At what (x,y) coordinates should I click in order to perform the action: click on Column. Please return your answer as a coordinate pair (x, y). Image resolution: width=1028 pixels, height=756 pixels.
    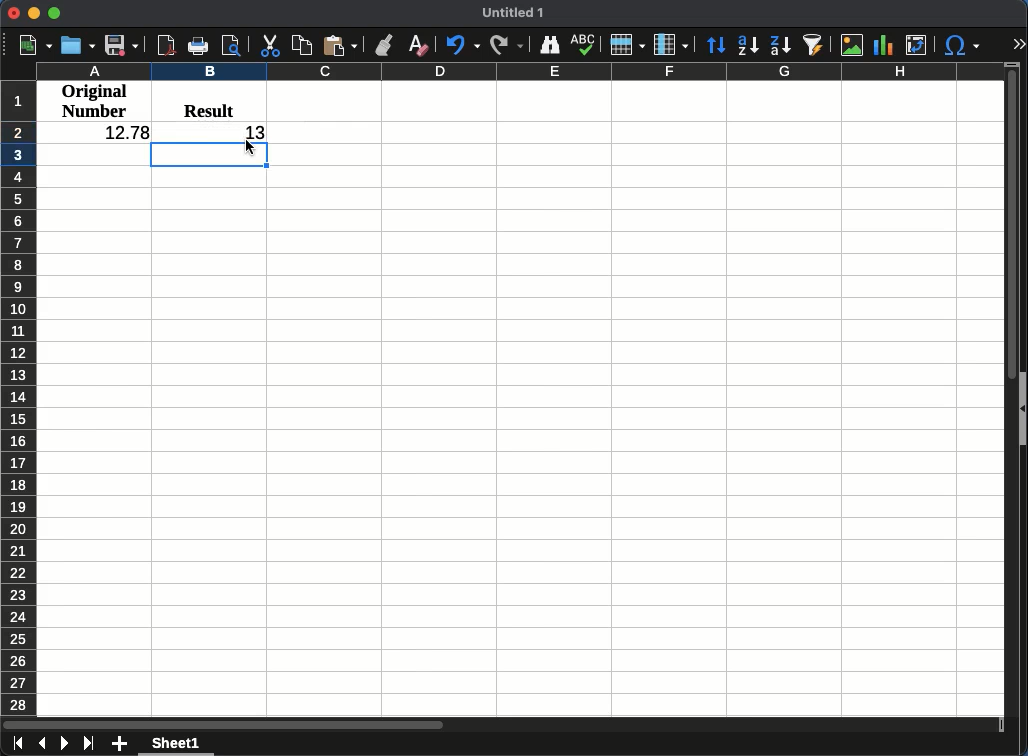
    Looking at the image, I should click on (515, 73).